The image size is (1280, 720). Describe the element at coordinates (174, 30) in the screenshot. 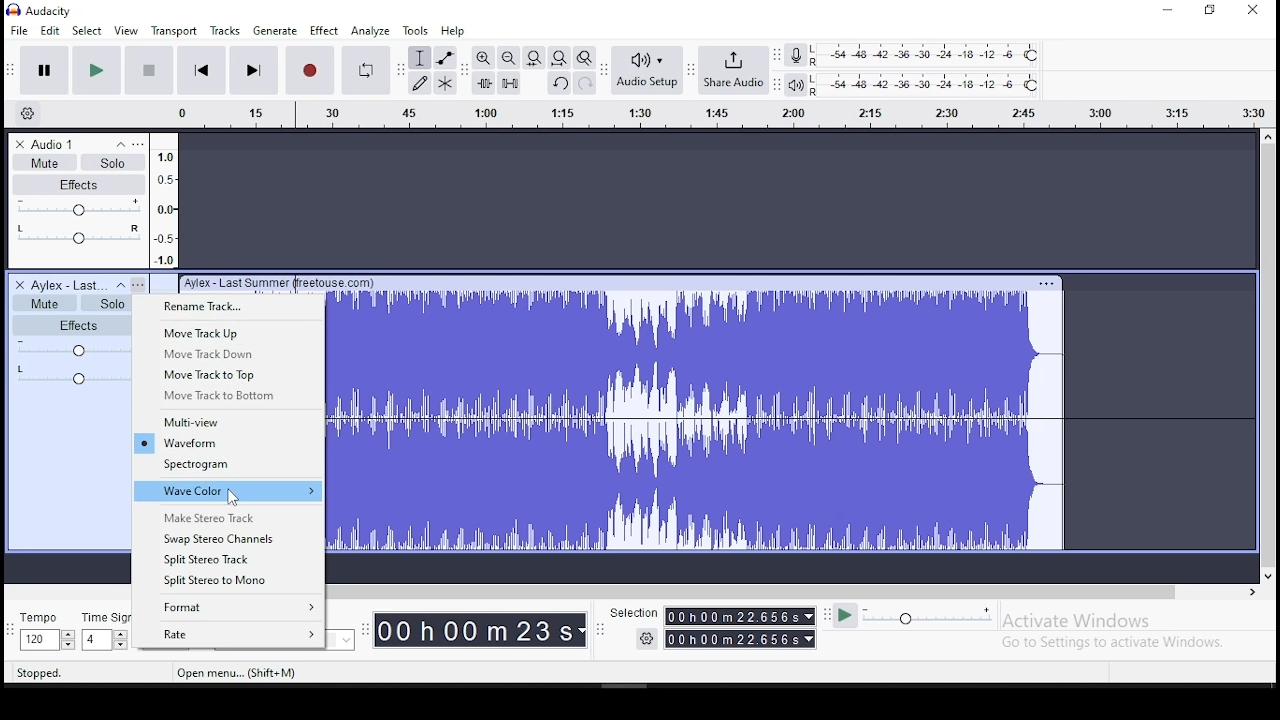

I see `transport` at that location.